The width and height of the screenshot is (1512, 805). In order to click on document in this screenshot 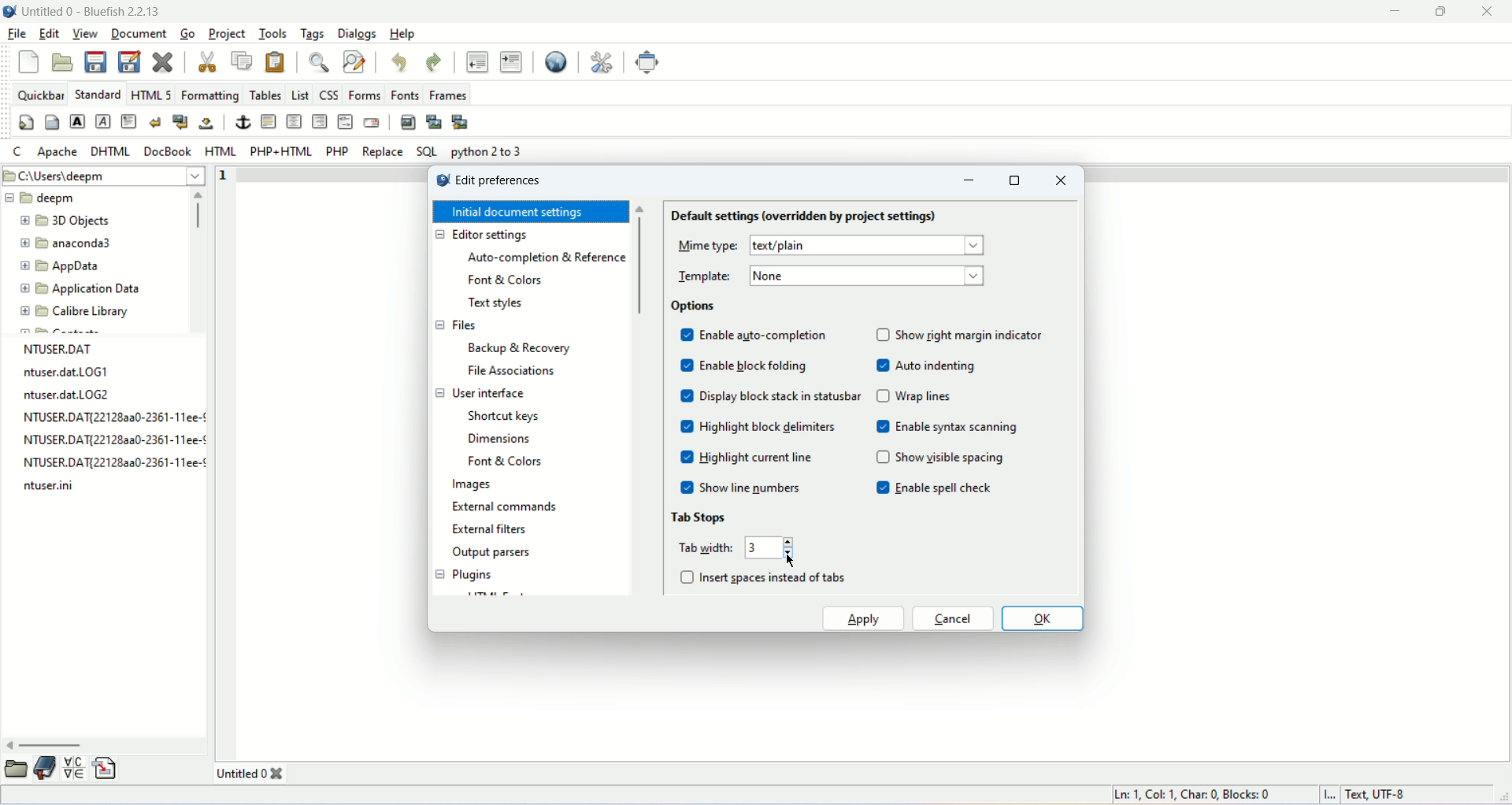, I will do `click(139, 32)`.